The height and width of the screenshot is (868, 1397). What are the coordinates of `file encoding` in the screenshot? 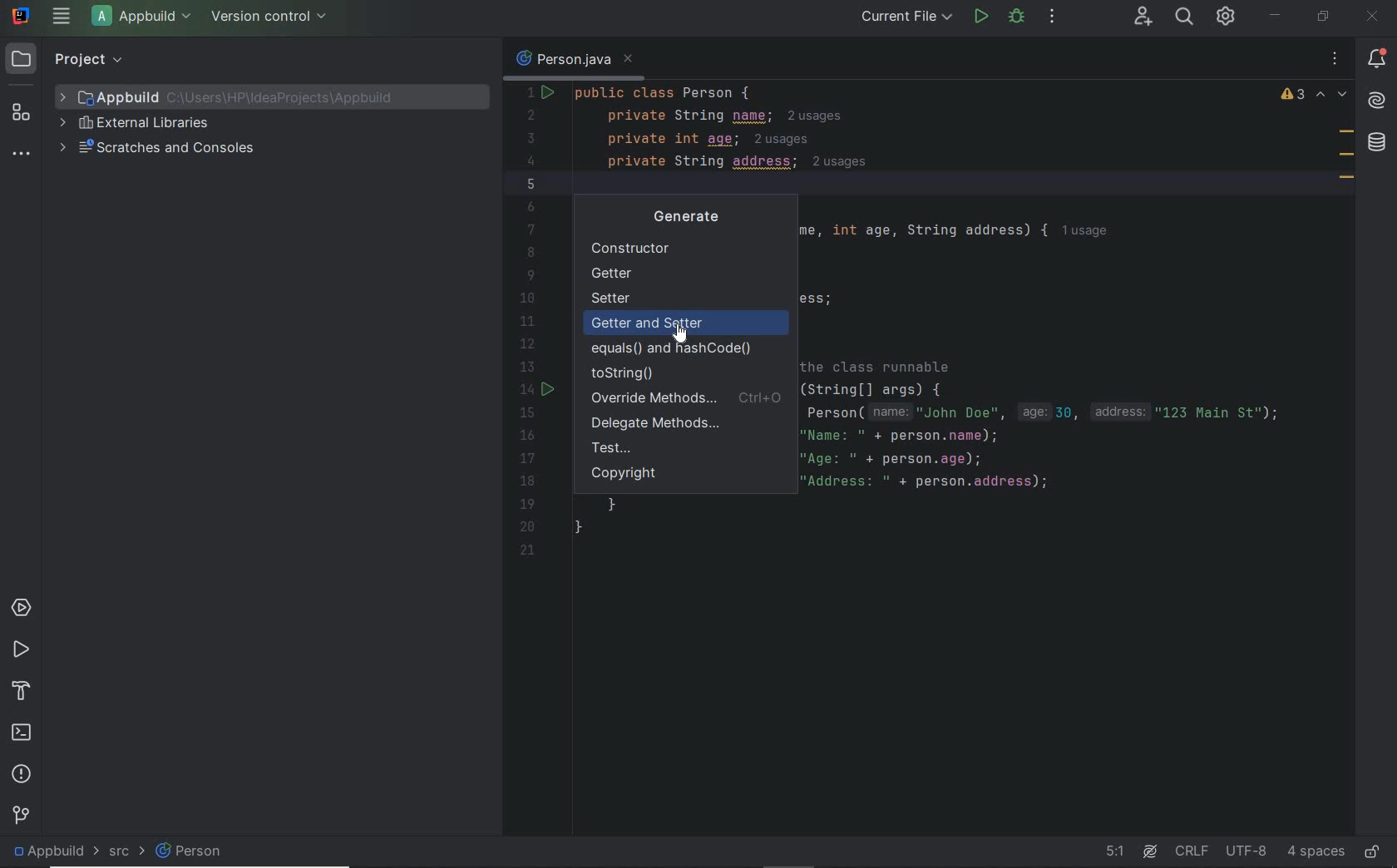 It's located at (1247, 851).